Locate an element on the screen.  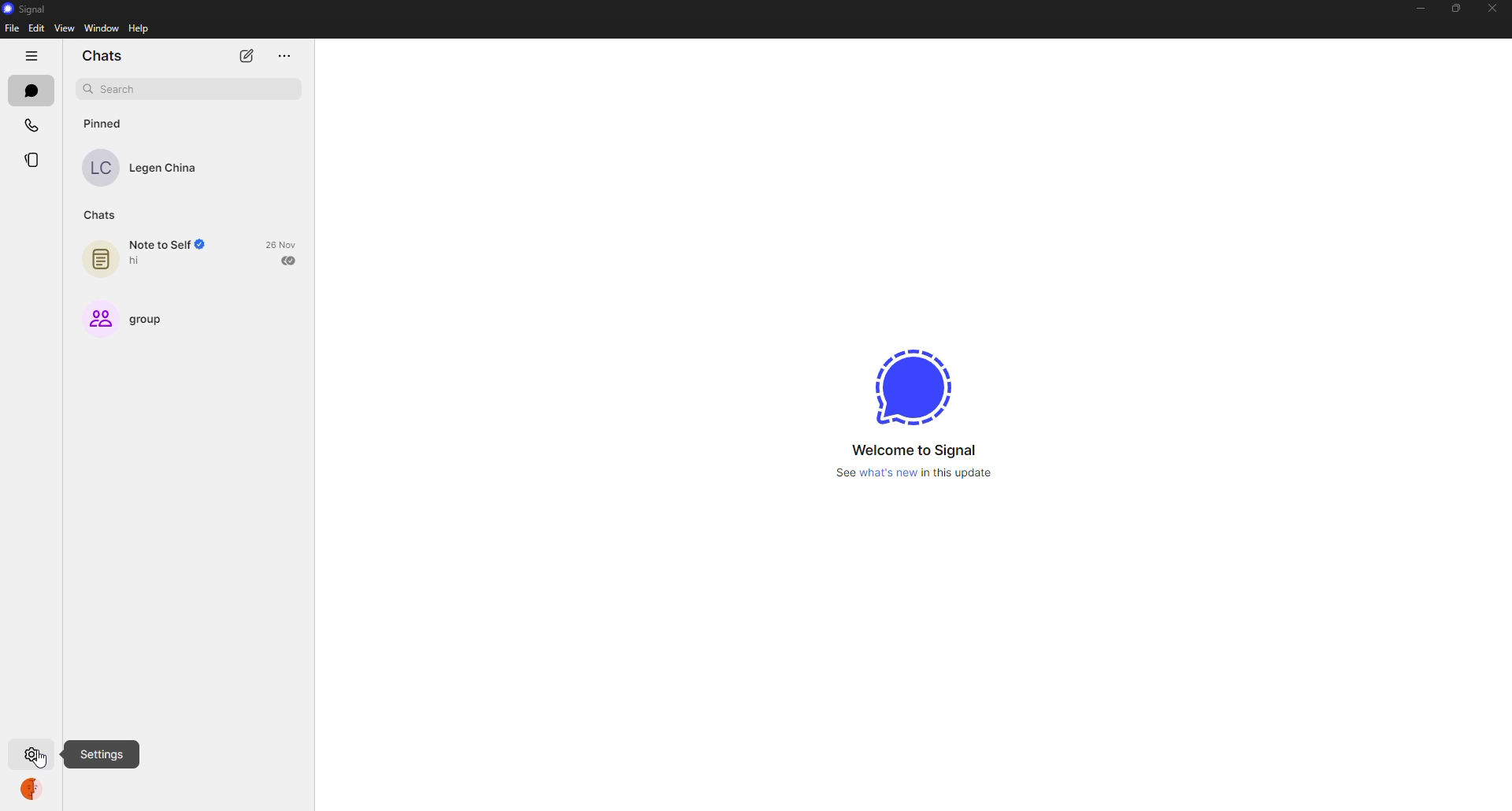
more is located at coordinates (283, 56).